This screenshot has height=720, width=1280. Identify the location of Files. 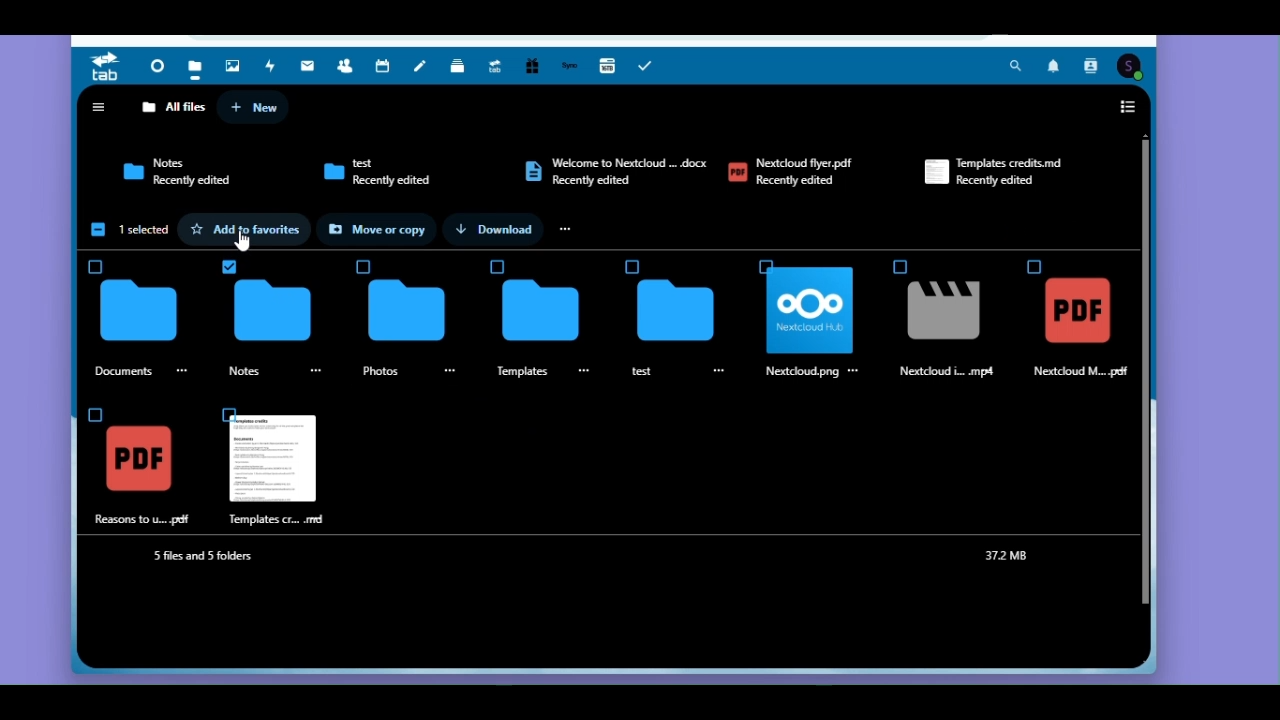
(196, 68).